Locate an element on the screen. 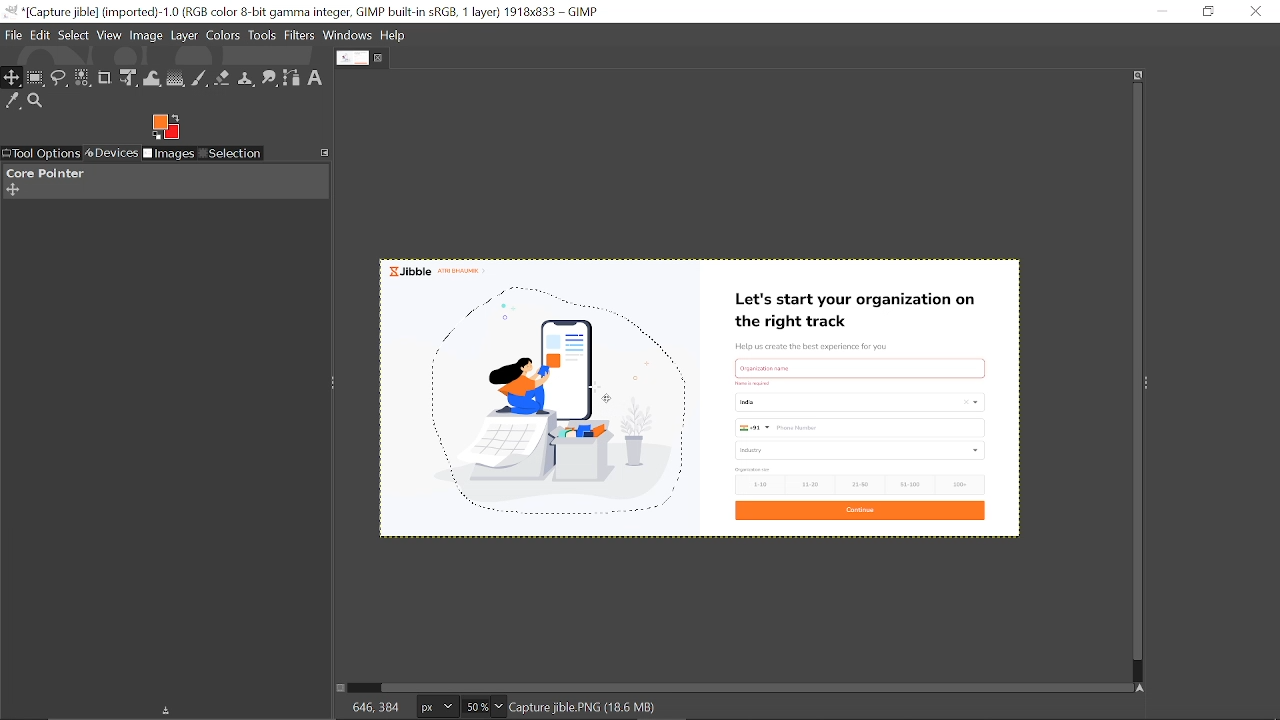 The image size is (1280, 720). 21-50 is located at coordinates (862, 484).